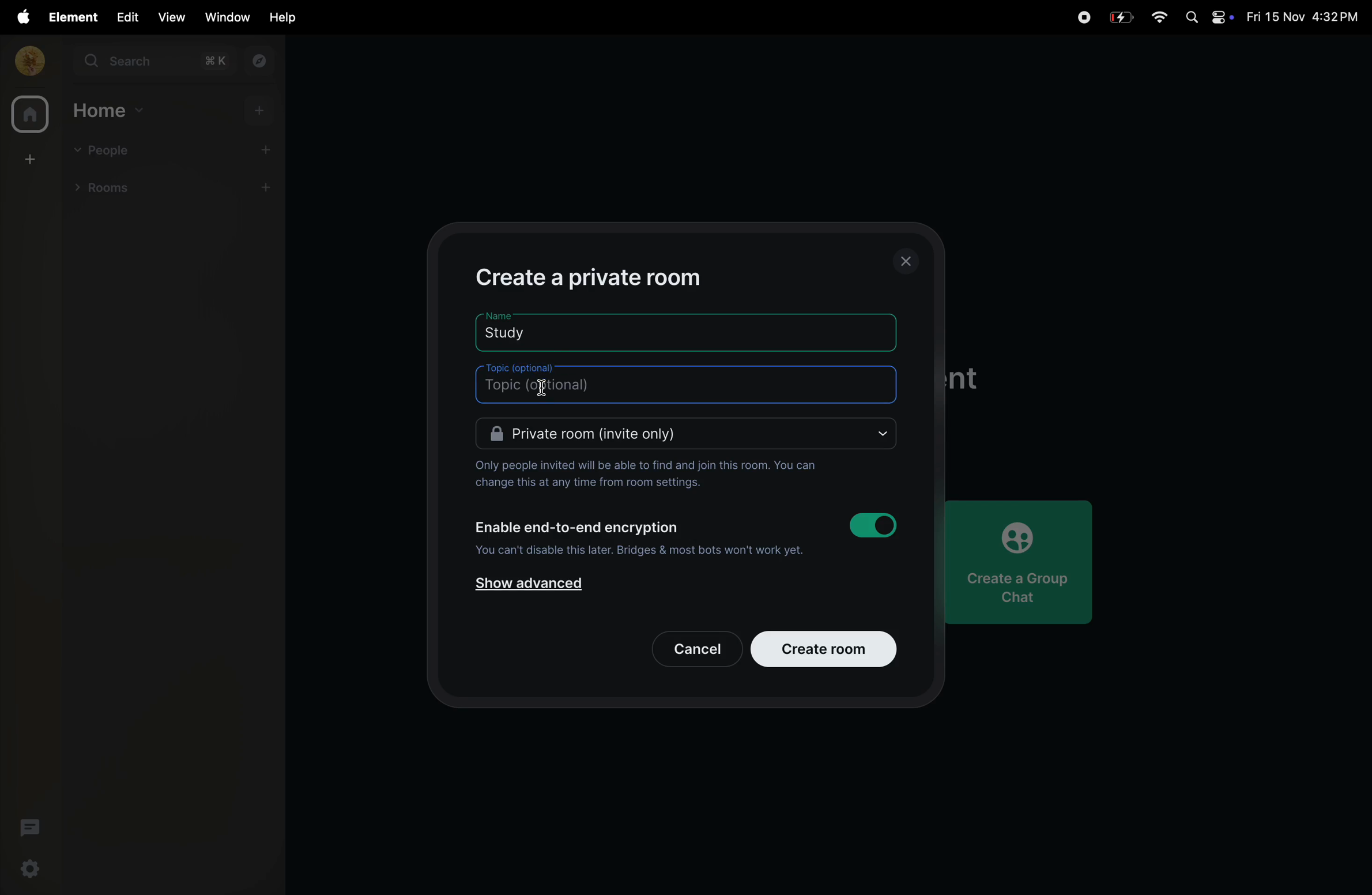  I want to click on room name study, so click(525, 330).